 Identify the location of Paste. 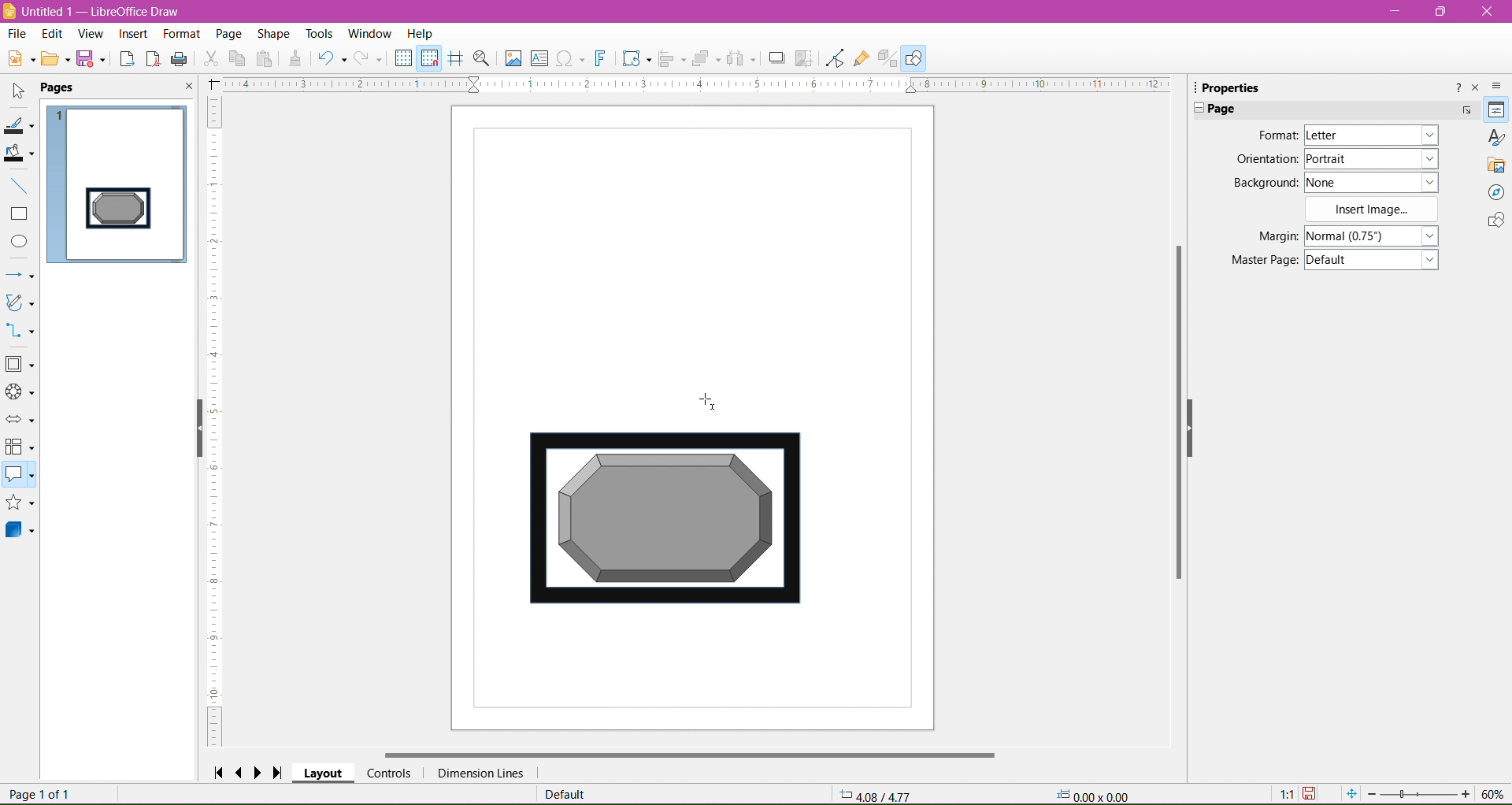
(267, 58).